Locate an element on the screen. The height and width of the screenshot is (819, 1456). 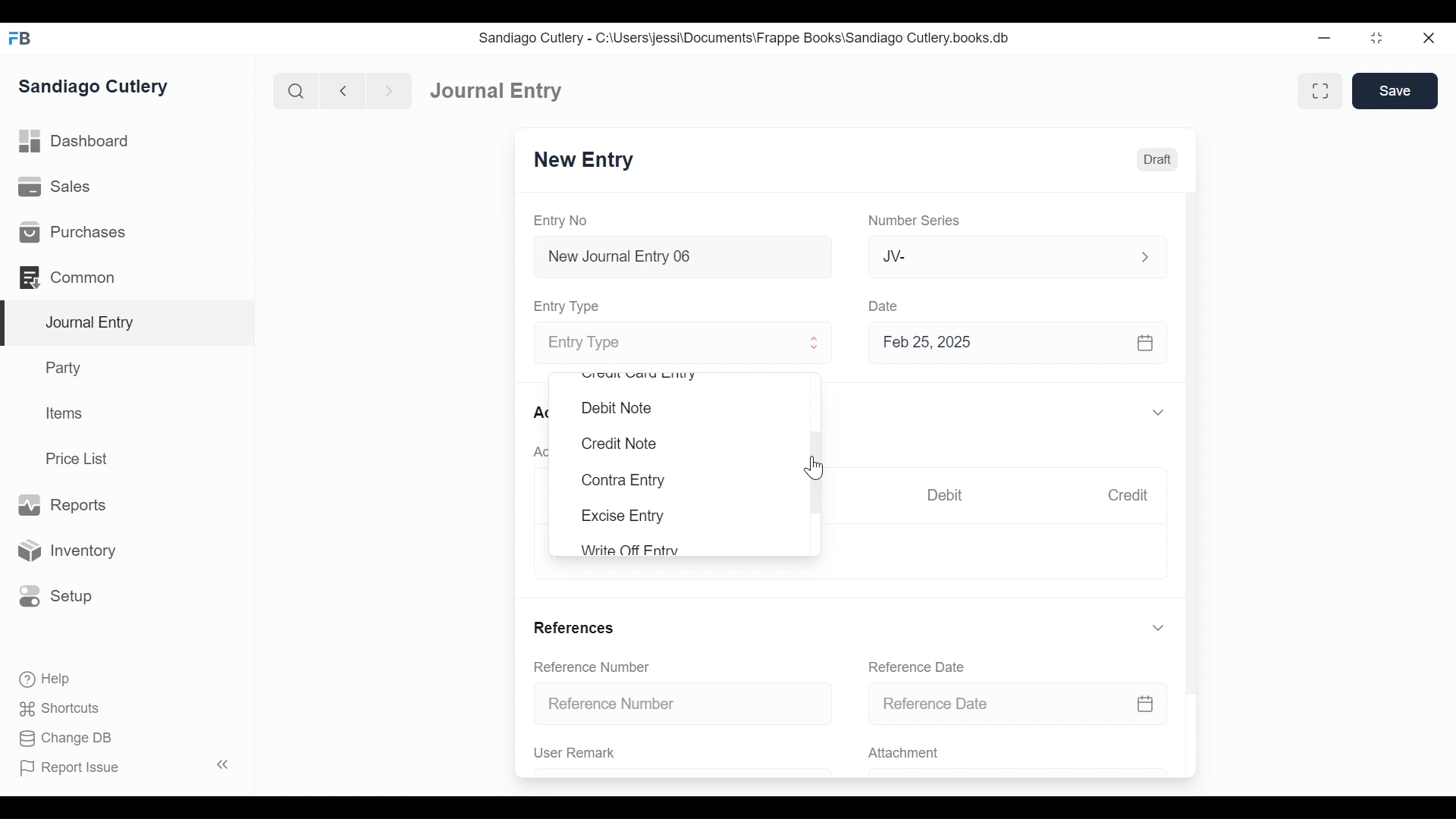
Report Issue is located at coordinates (127, 767).